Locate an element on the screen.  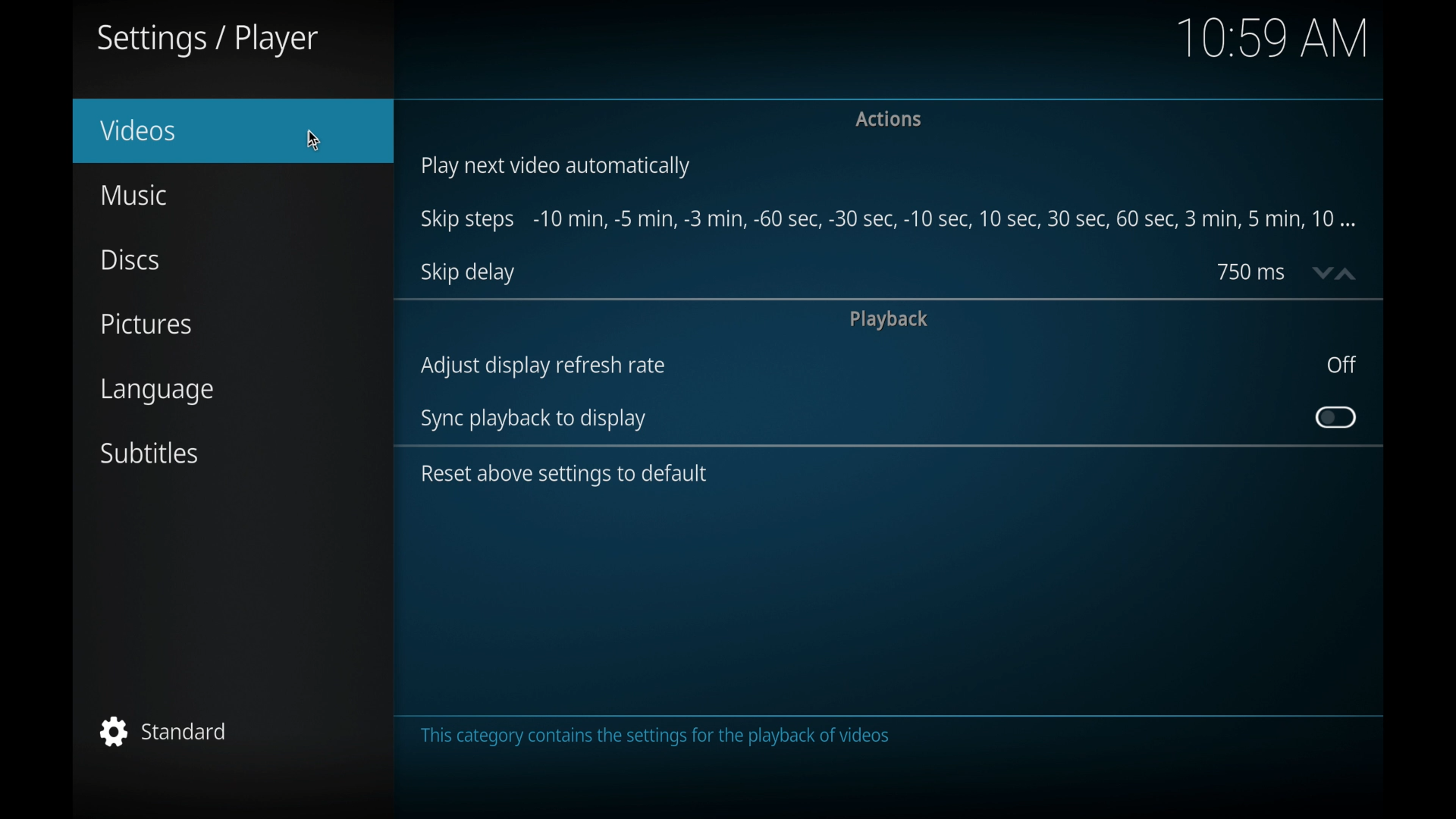
skip steps -10 min, -5 min-, -3 min- 60 sec-,5 min,10 min is located at coordinates (883, 223).